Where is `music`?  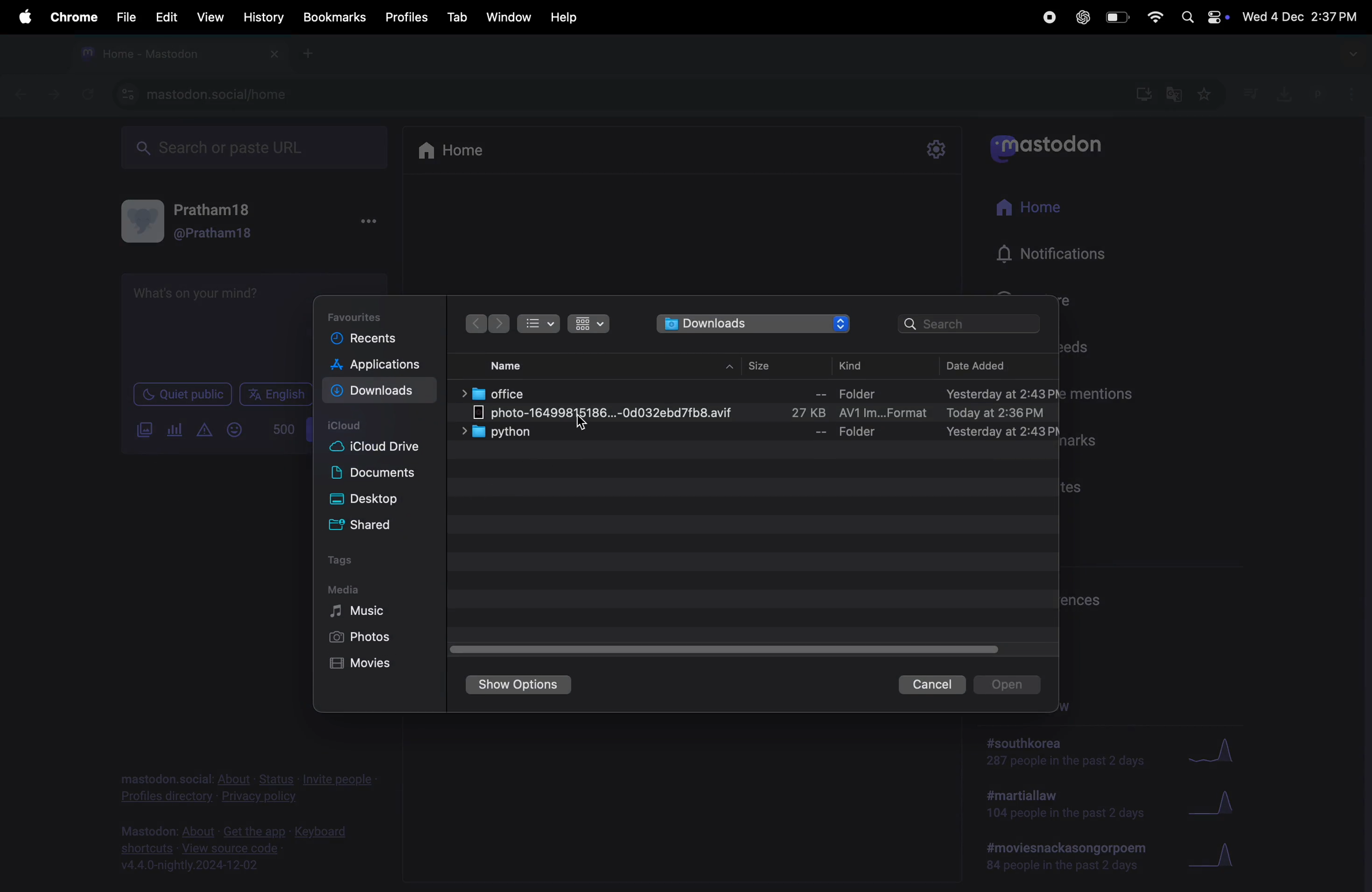
music is located at coordinates (1250, 93).